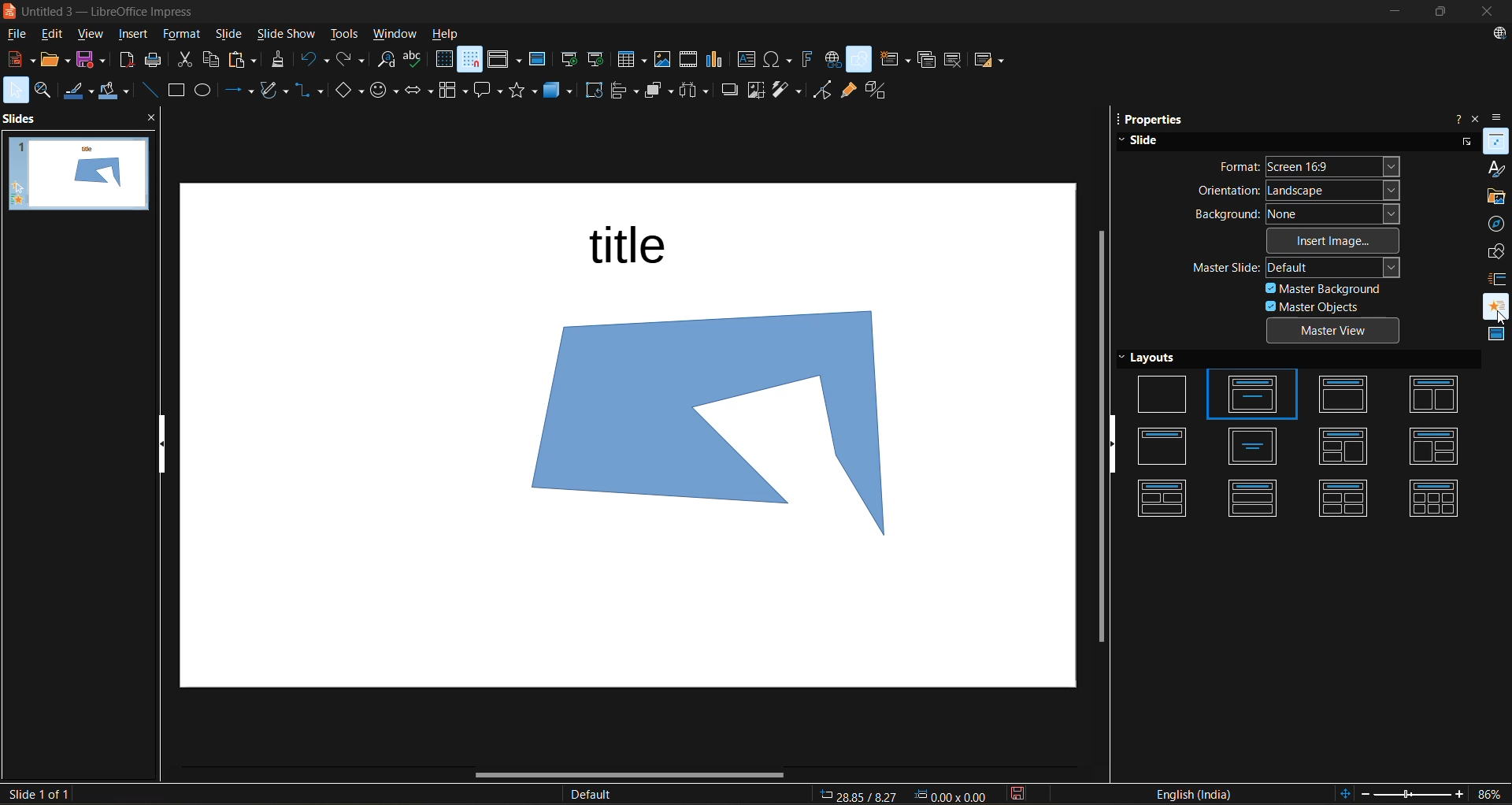 This screenshot has width=1512, height=805. I want to click on slide, so click(1146, 139).